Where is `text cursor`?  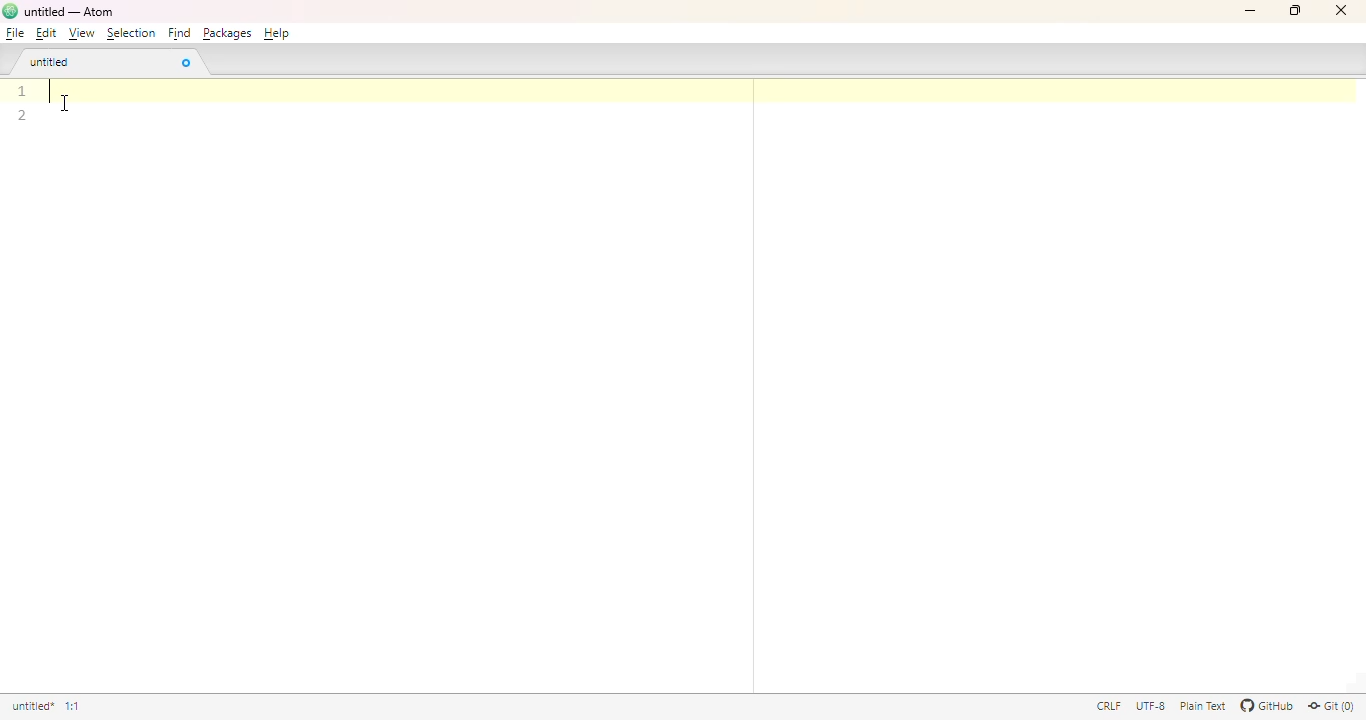 text cursor is located at coordinates (50, 93).